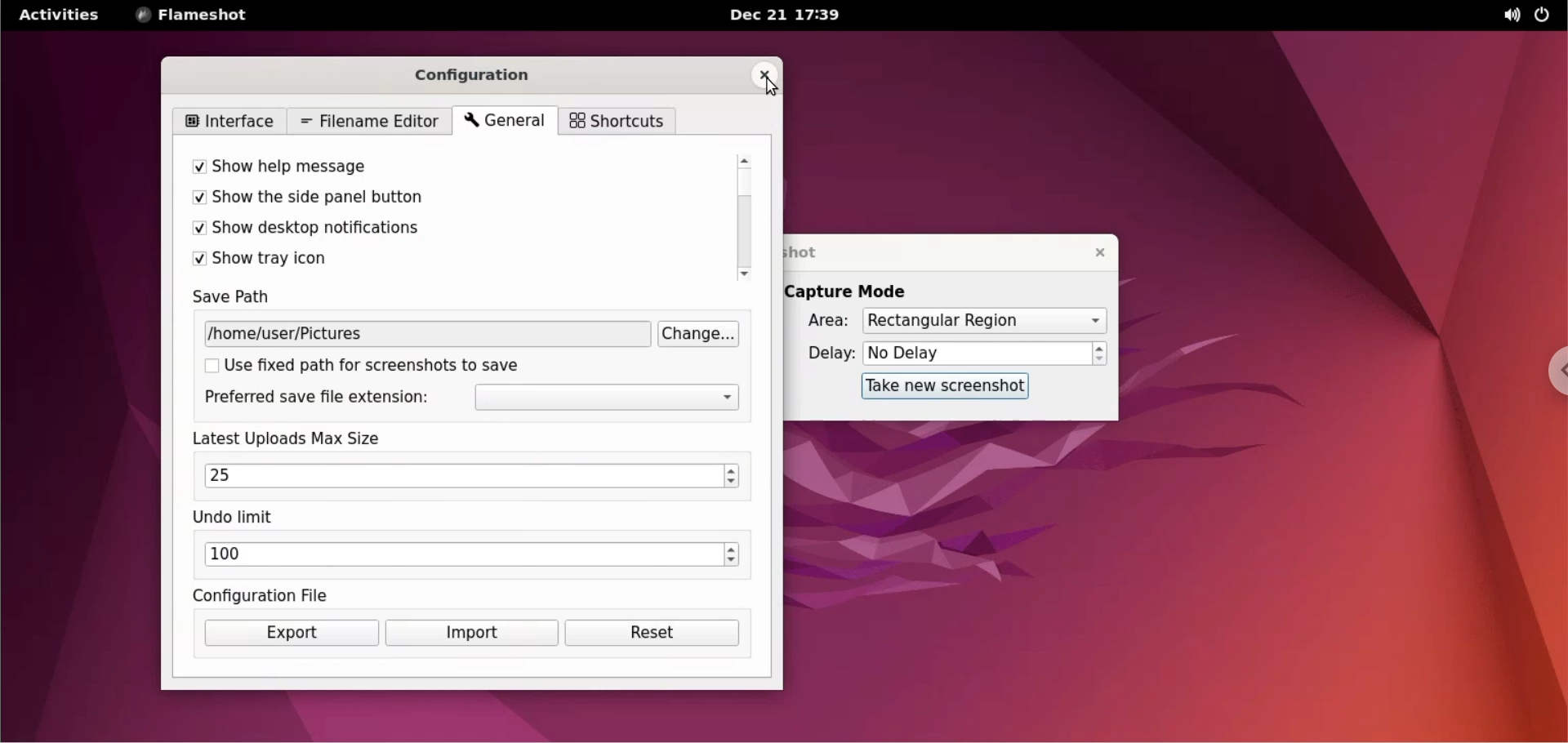 This screenshot has width=1568, height=743. What do you see at coordinates (428, 334) in the screenshot?
I see `path text box` at bounding box center [428, 334].